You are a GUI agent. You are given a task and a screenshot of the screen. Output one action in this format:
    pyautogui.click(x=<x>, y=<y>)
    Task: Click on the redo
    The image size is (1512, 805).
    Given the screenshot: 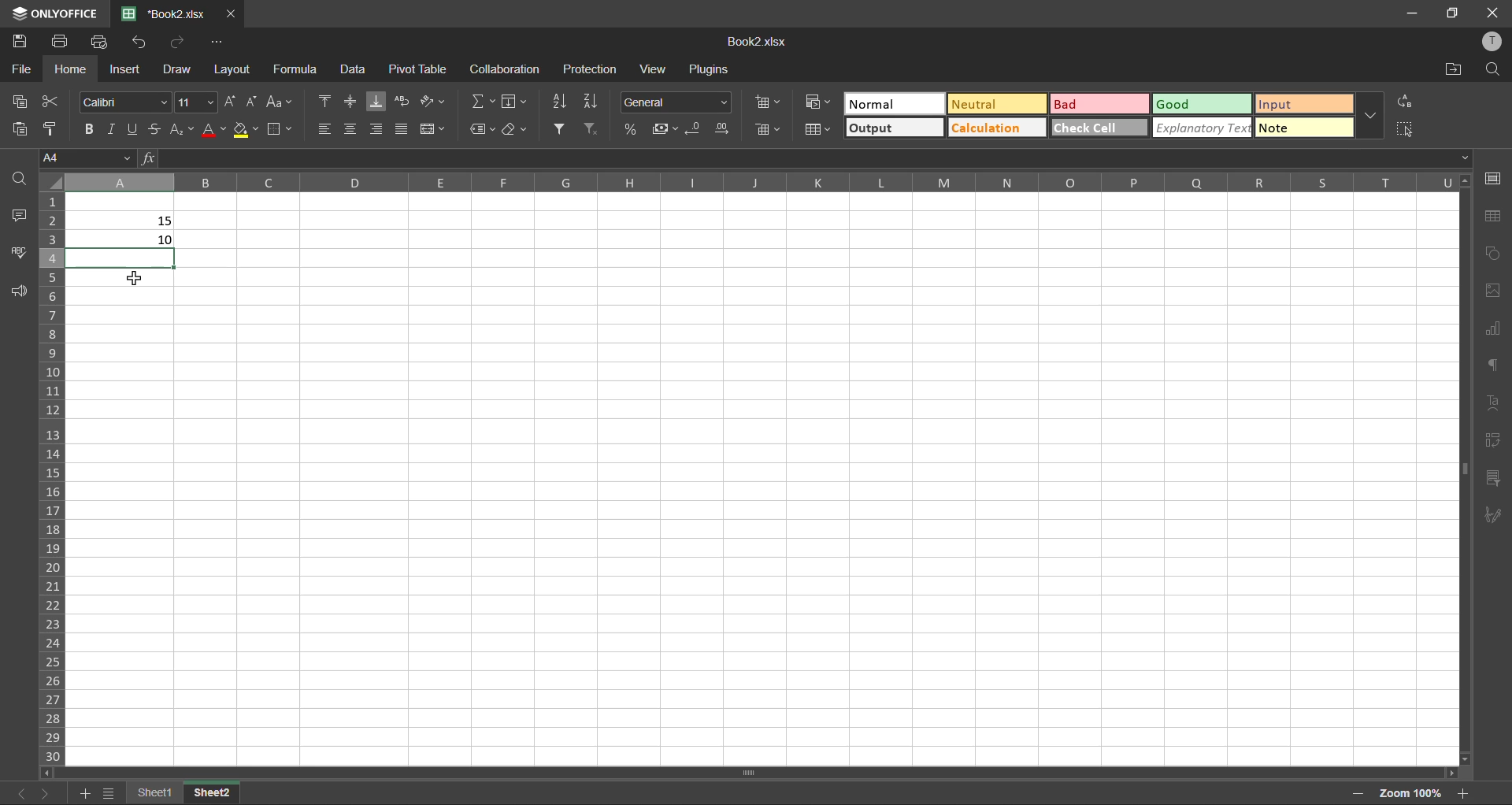 What is the action you would take?
    pyautogui.click(x=172, y=41)
    